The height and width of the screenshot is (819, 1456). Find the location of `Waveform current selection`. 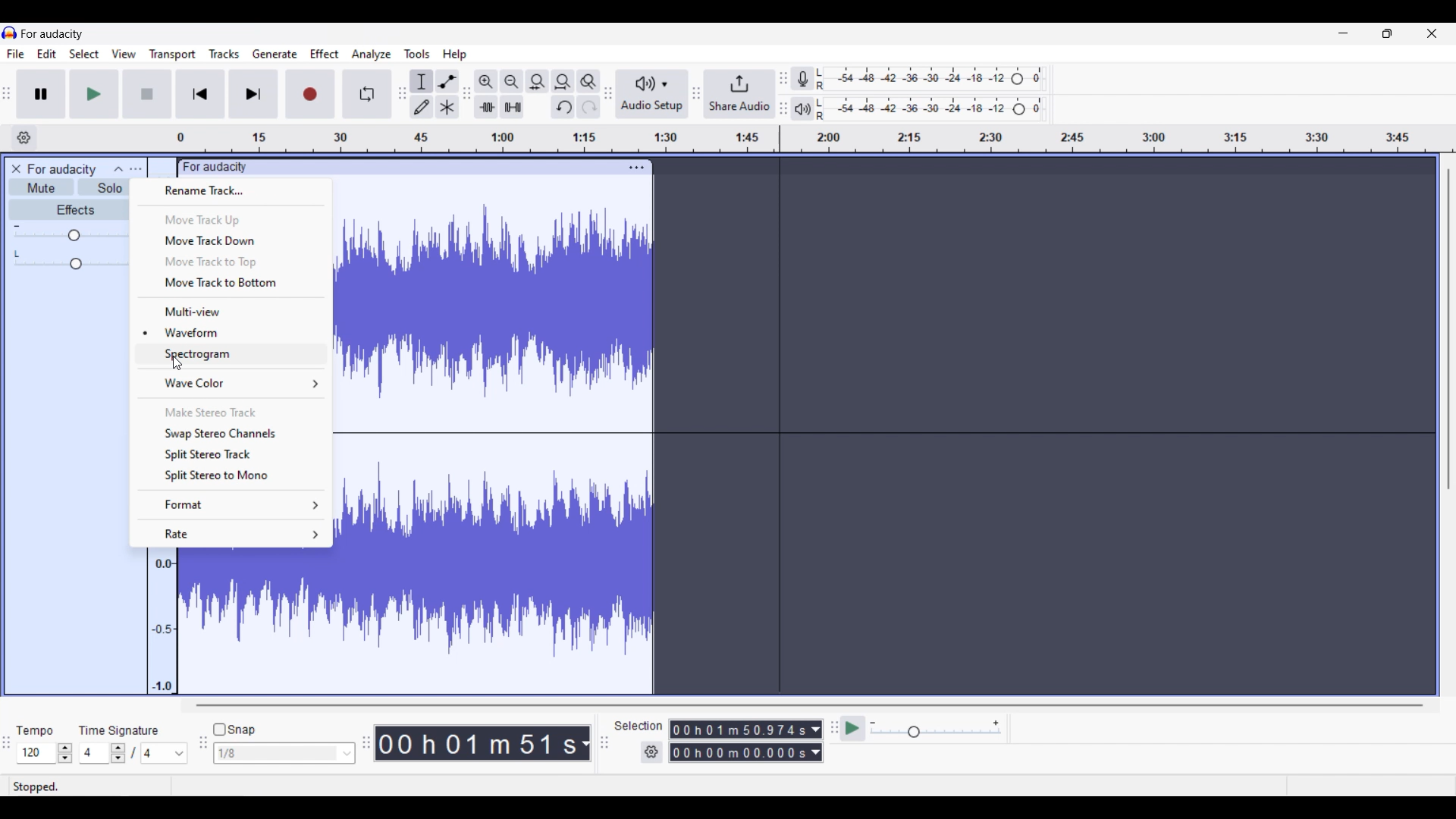

Waveform current selection is located at coordinates (230, 332).